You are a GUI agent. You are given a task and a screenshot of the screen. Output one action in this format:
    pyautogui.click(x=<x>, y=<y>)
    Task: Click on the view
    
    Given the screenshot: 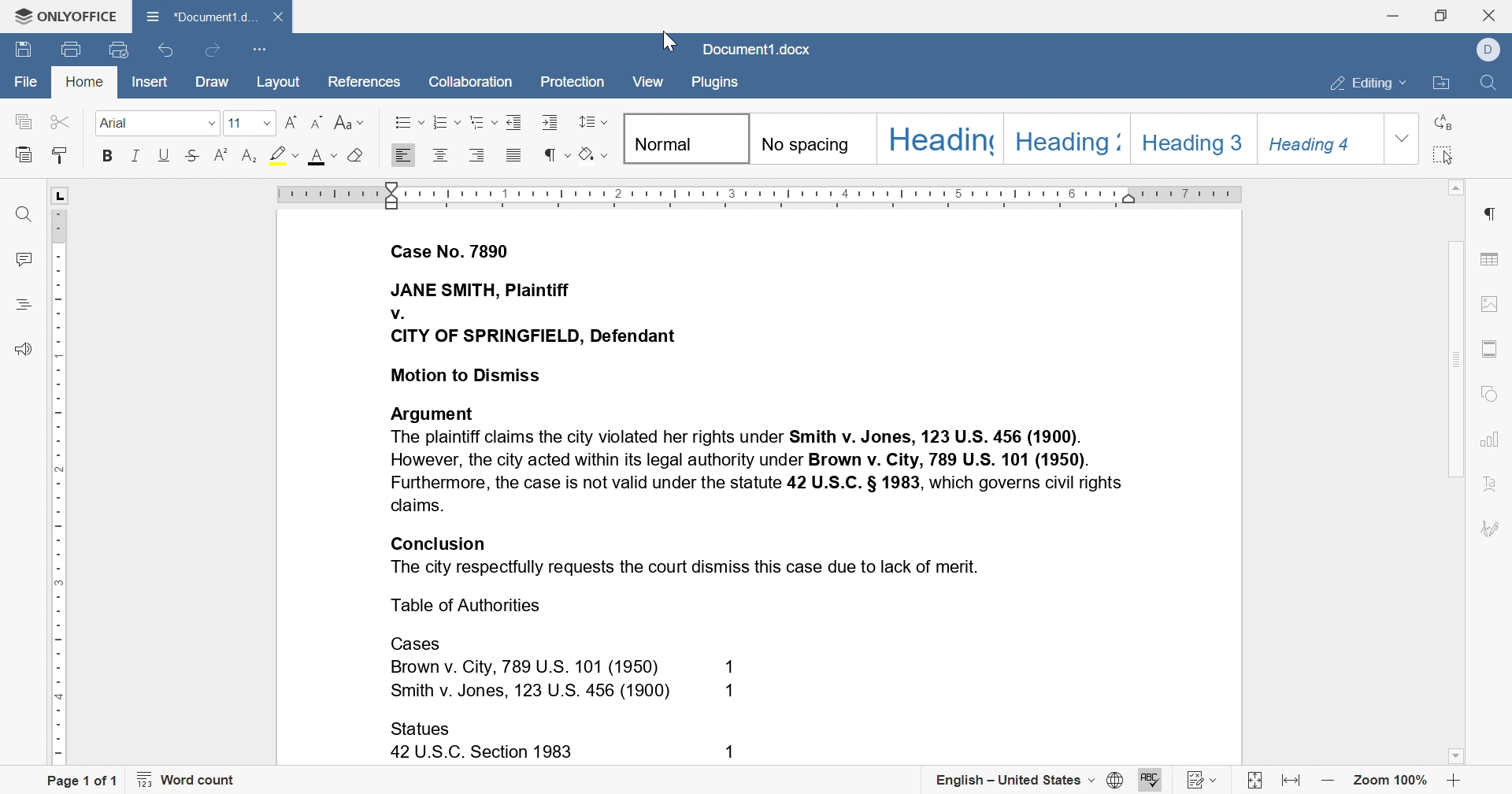 What is the action you would take?
    pyautogui.click(x=648, y=81)
    